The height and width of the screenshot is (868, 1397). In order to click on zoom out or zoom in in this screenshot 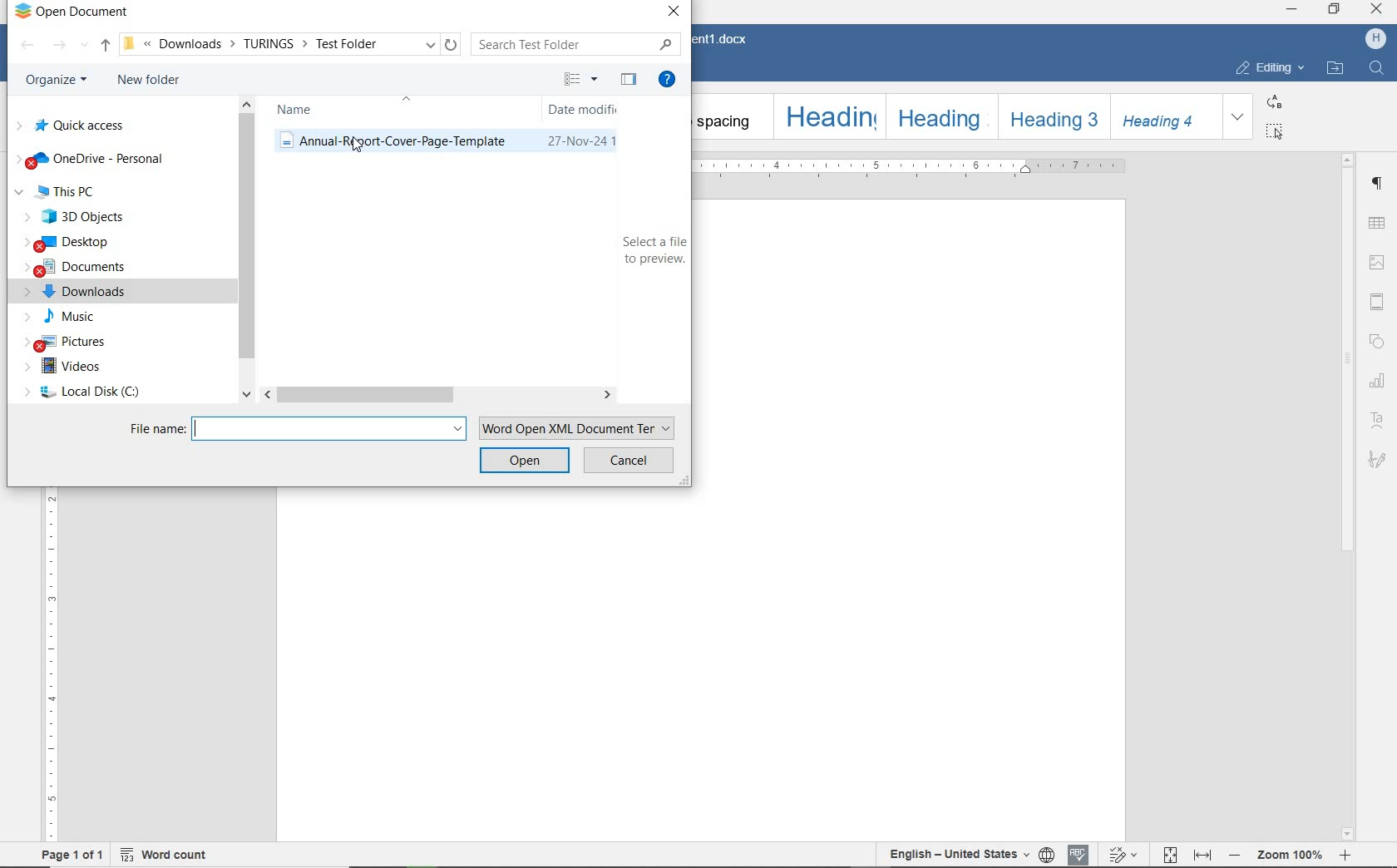, I will do `click(1291, 854)`.